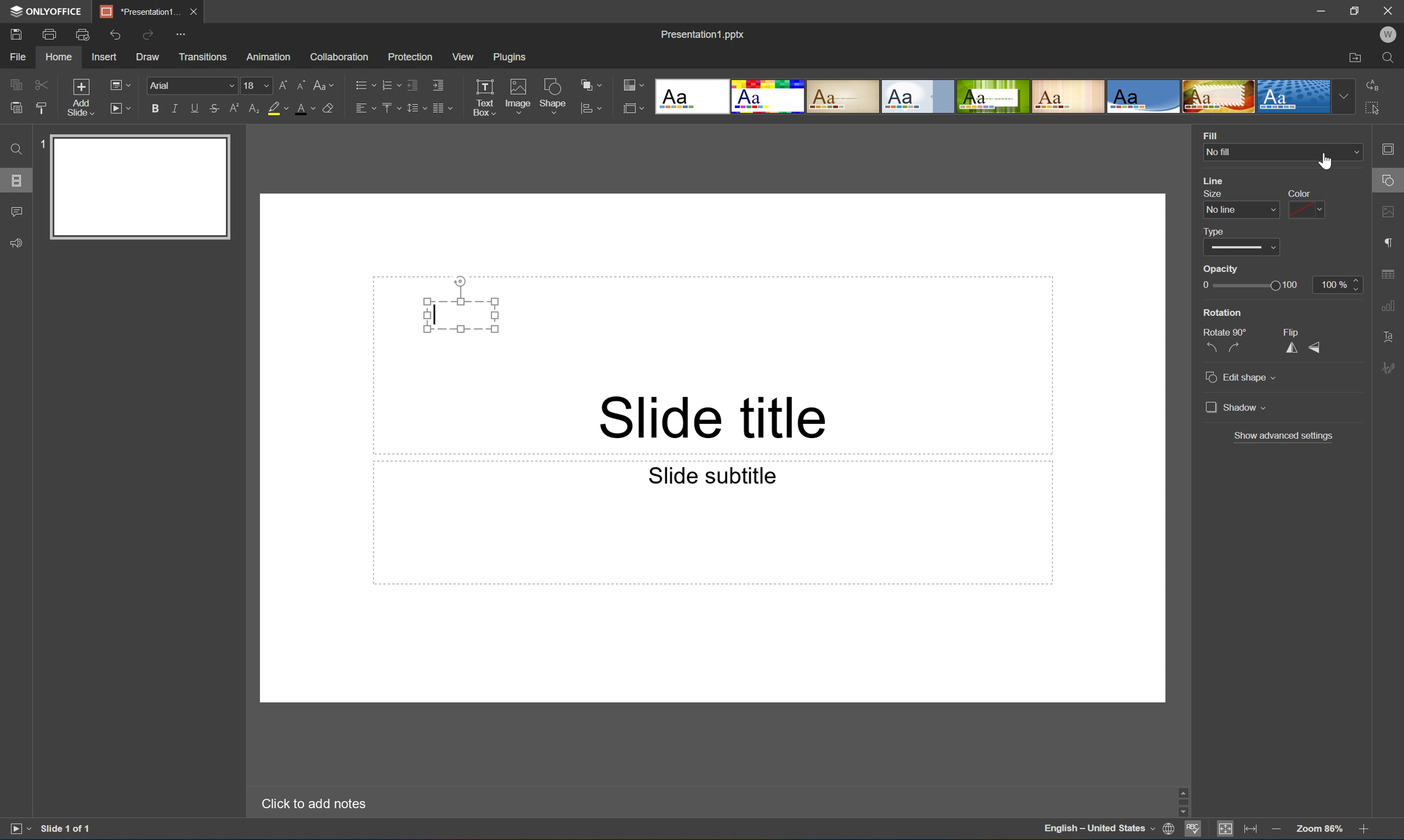 The image size is (1404, 840). I want to click on Home, so click(58, 58).